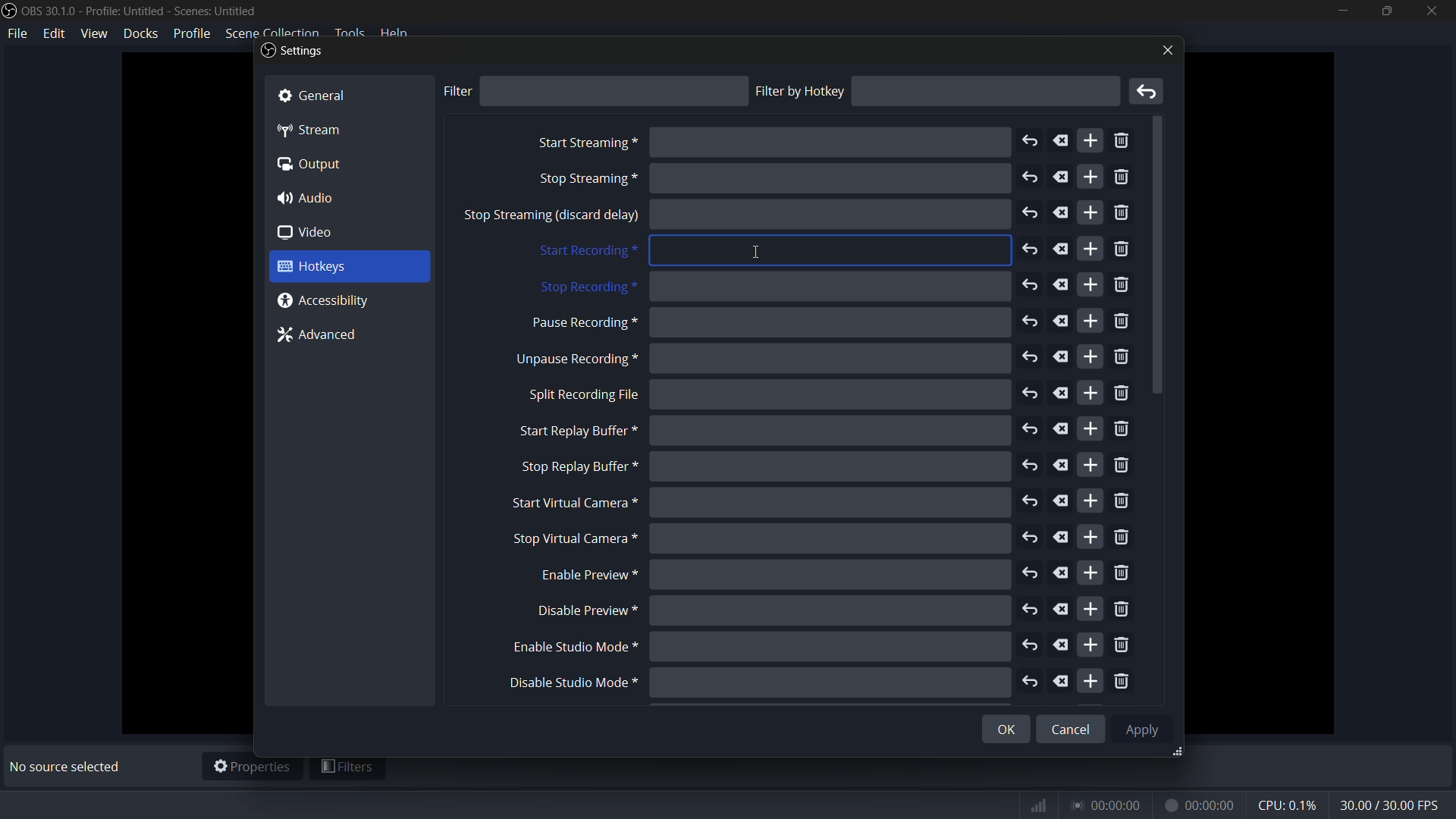  What do you see at coordinates (1063, 249) in the screenshot?
I see `delete` at bounding box center [1063, 249].